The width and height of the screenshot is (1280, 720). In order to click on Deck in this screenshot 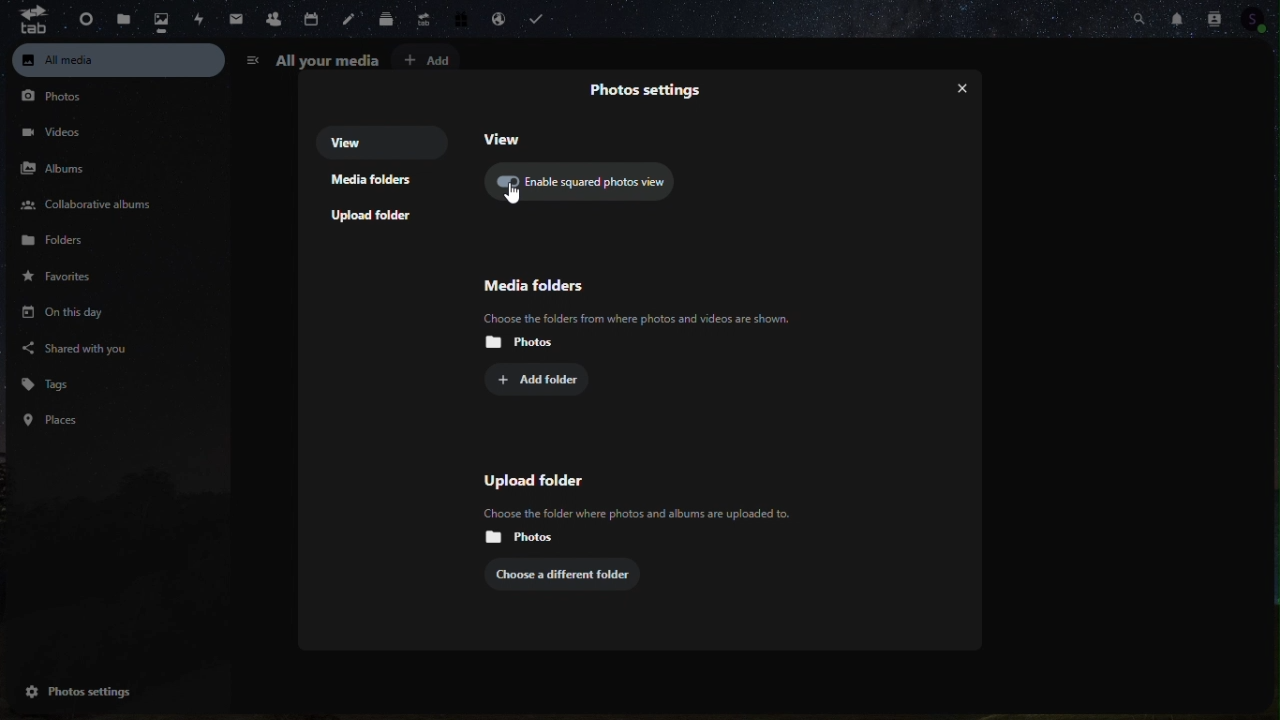, I will do `click(383, 20)`.